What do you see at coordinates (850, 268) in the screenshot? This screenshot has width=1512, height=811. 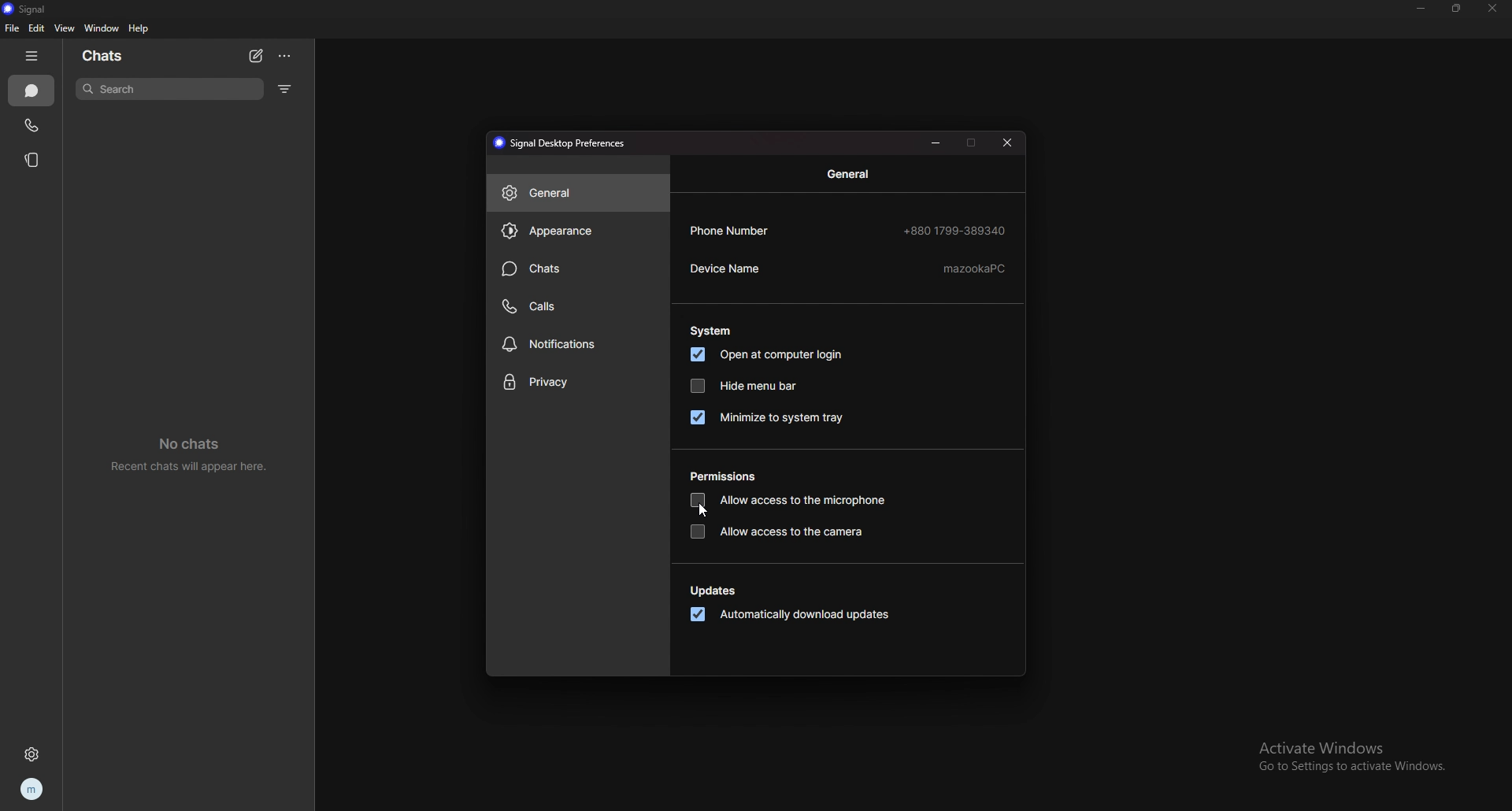 I see `device name` at bounding box center [850, 268].